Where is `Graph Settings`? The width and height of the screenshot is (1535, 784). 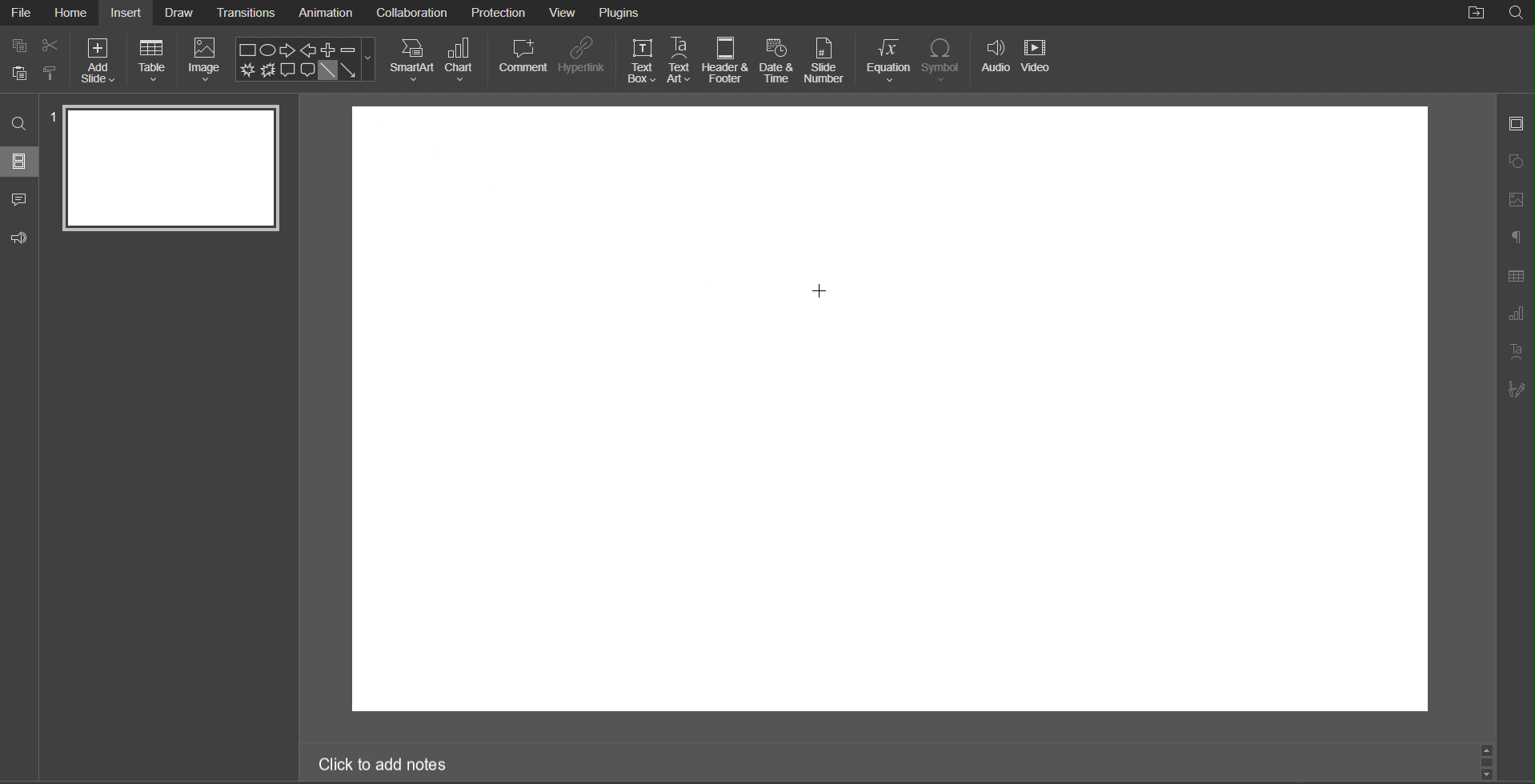 Graph Settings is located at coordinates (1515, 314).